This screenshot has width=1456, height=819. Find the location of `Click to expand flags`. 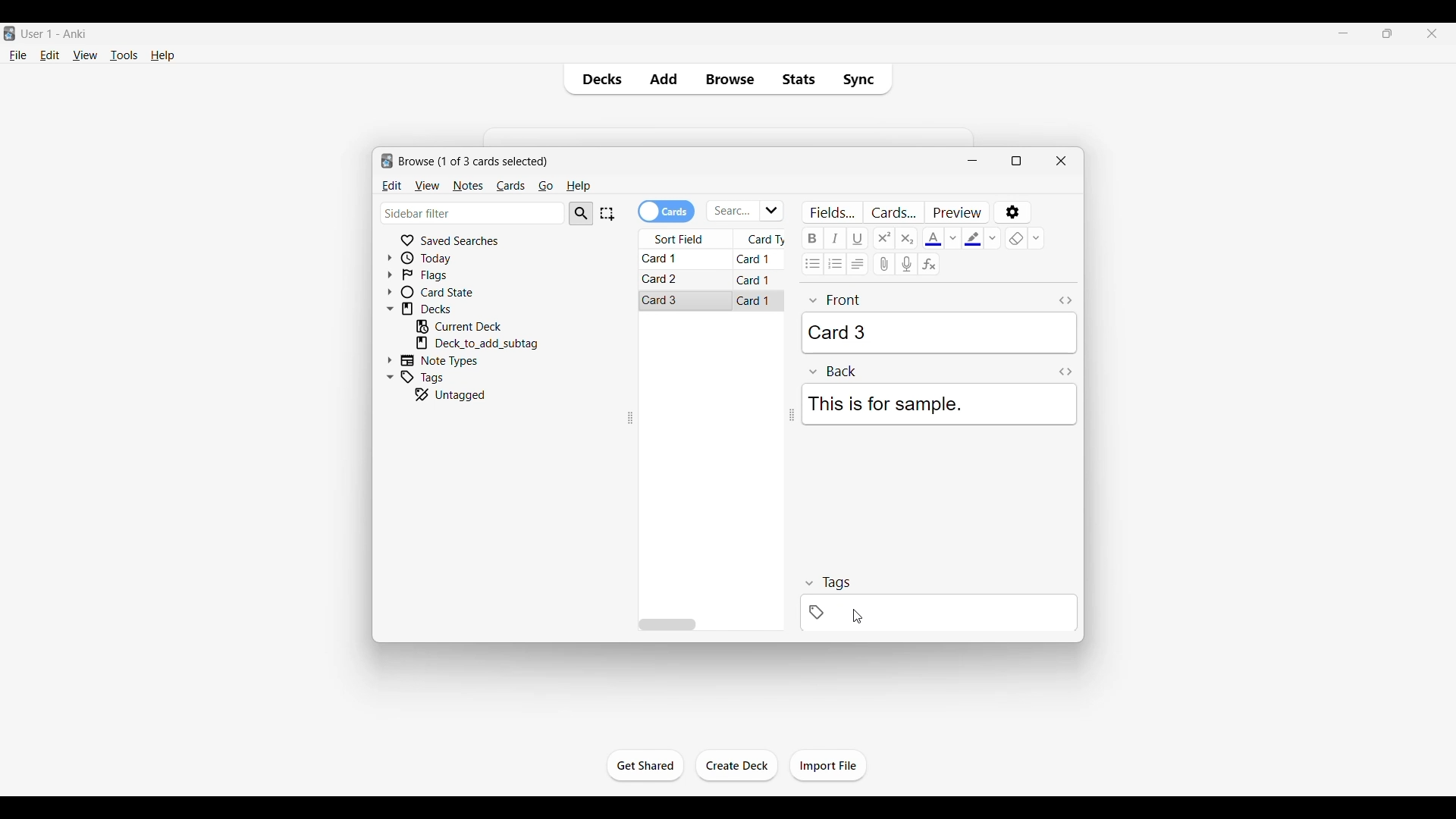

Click to expand flags is located at coordinates (390, 275).